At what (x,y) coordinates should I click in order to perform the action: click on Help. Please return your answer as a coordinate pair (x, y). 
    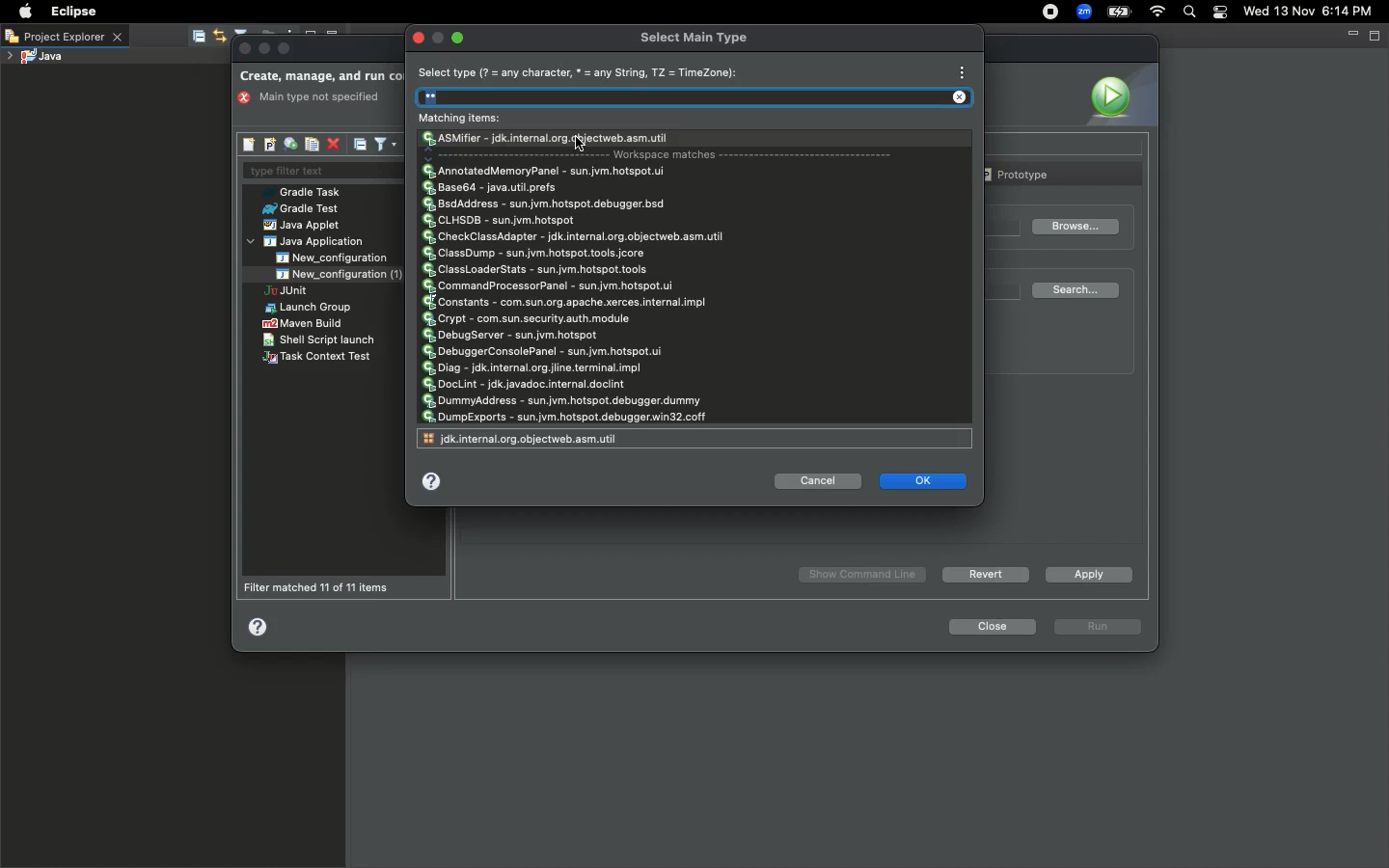
    Looking at the image, I should click on (259, 626).